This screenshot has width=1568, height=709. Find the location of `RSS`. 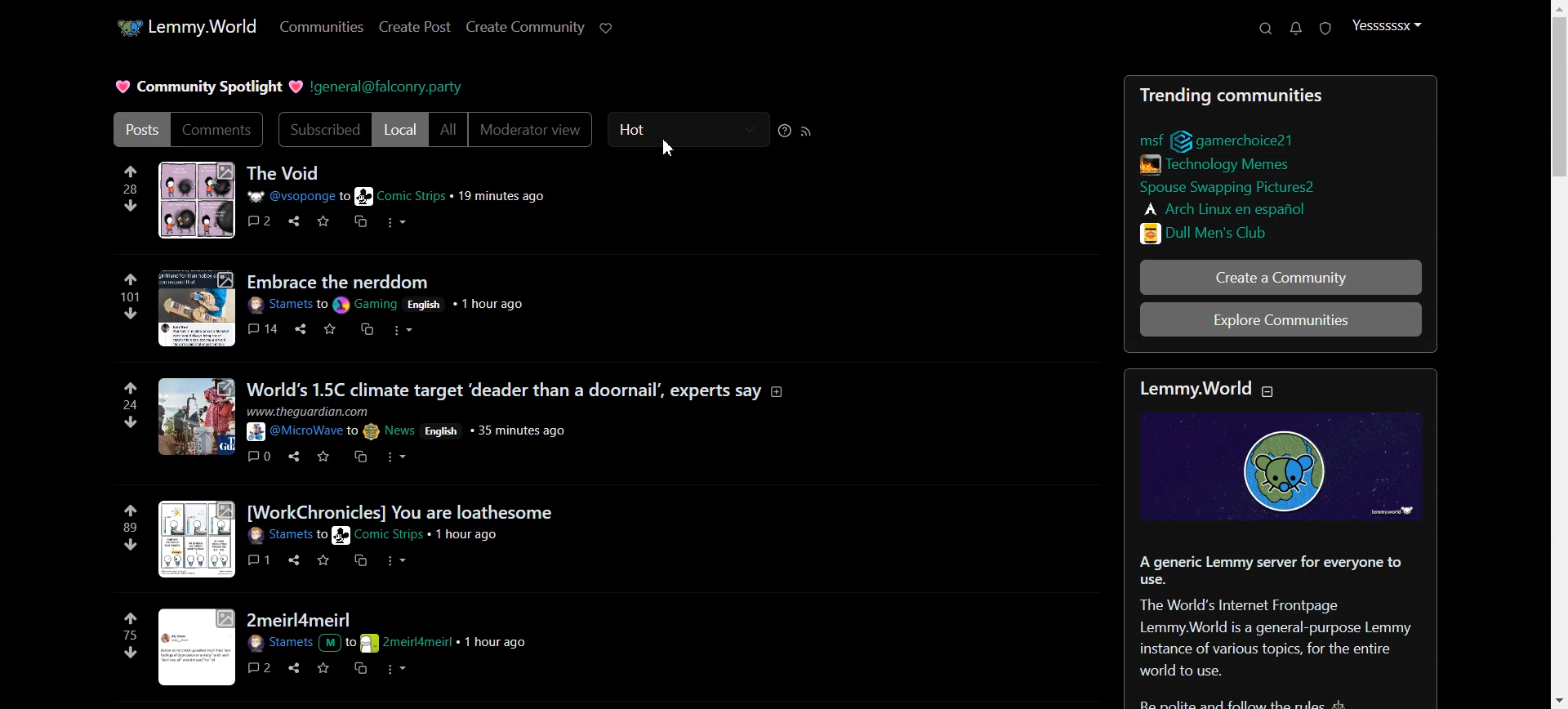

RSS is located at coordinates (807, 131).